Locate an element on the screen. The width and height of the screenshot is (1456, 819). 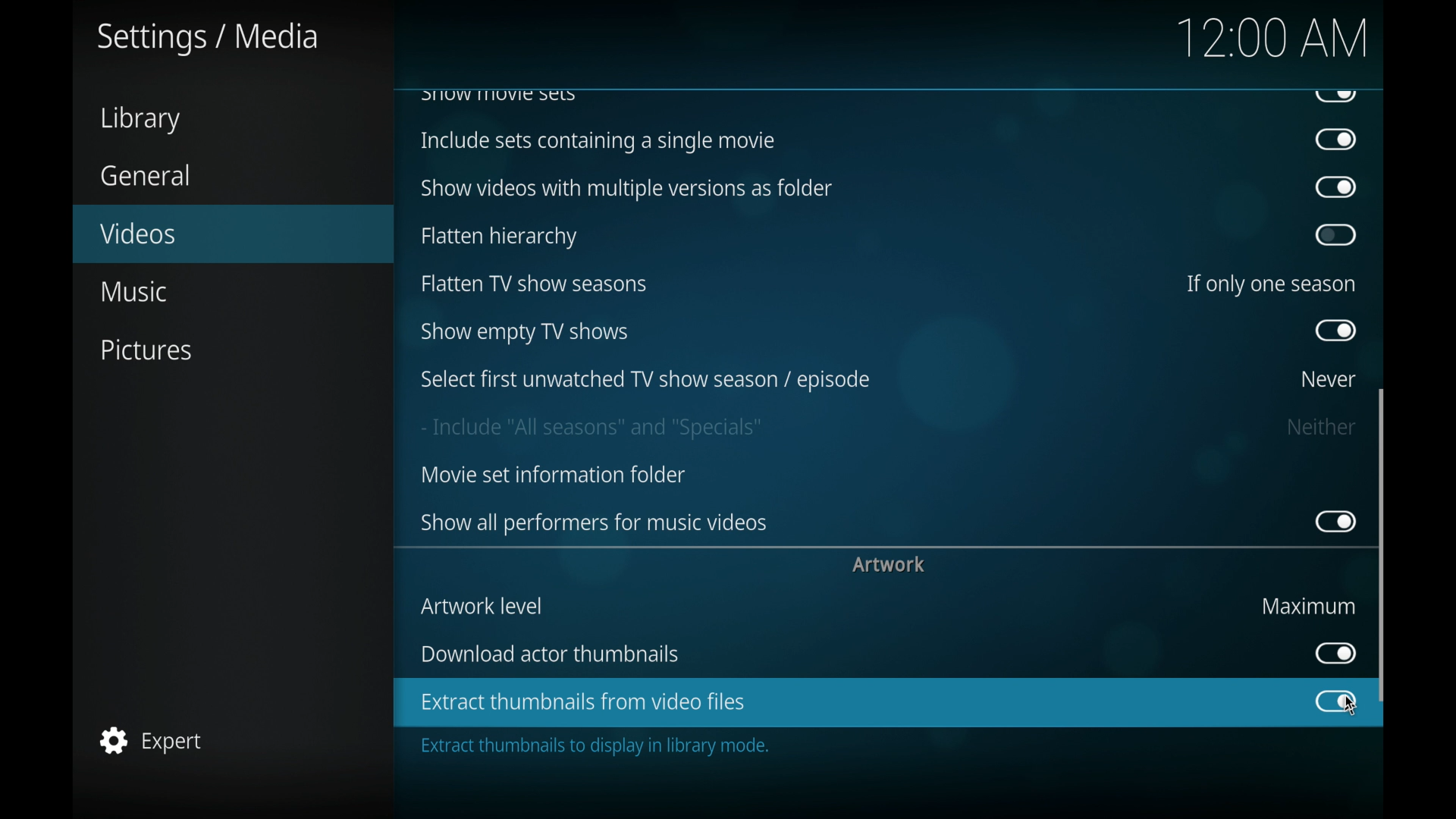
toggle button is located at coordinates (1337, 189).